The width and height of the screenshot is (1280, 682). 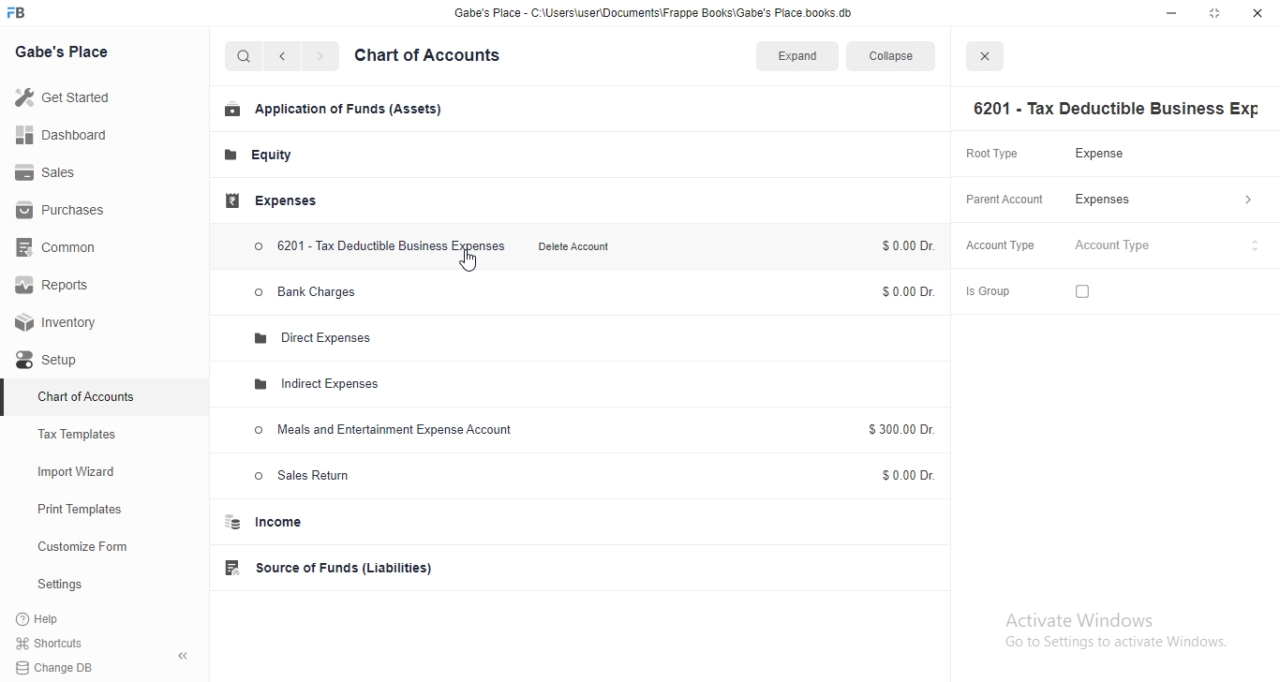 I want to click on Expenses, so click(x=272, y=200).